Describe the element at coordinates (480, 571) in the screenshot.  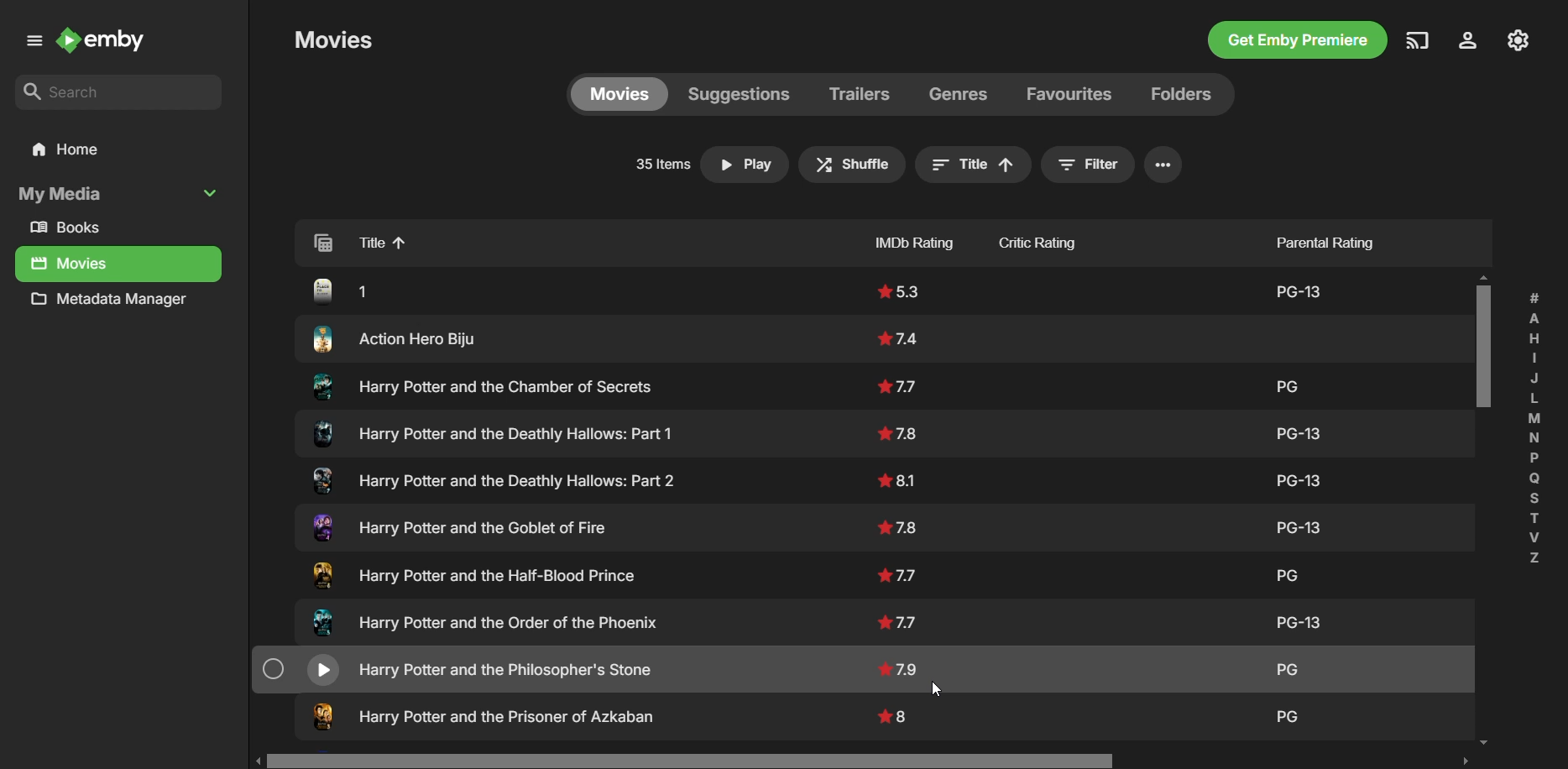
I see `` at that location.